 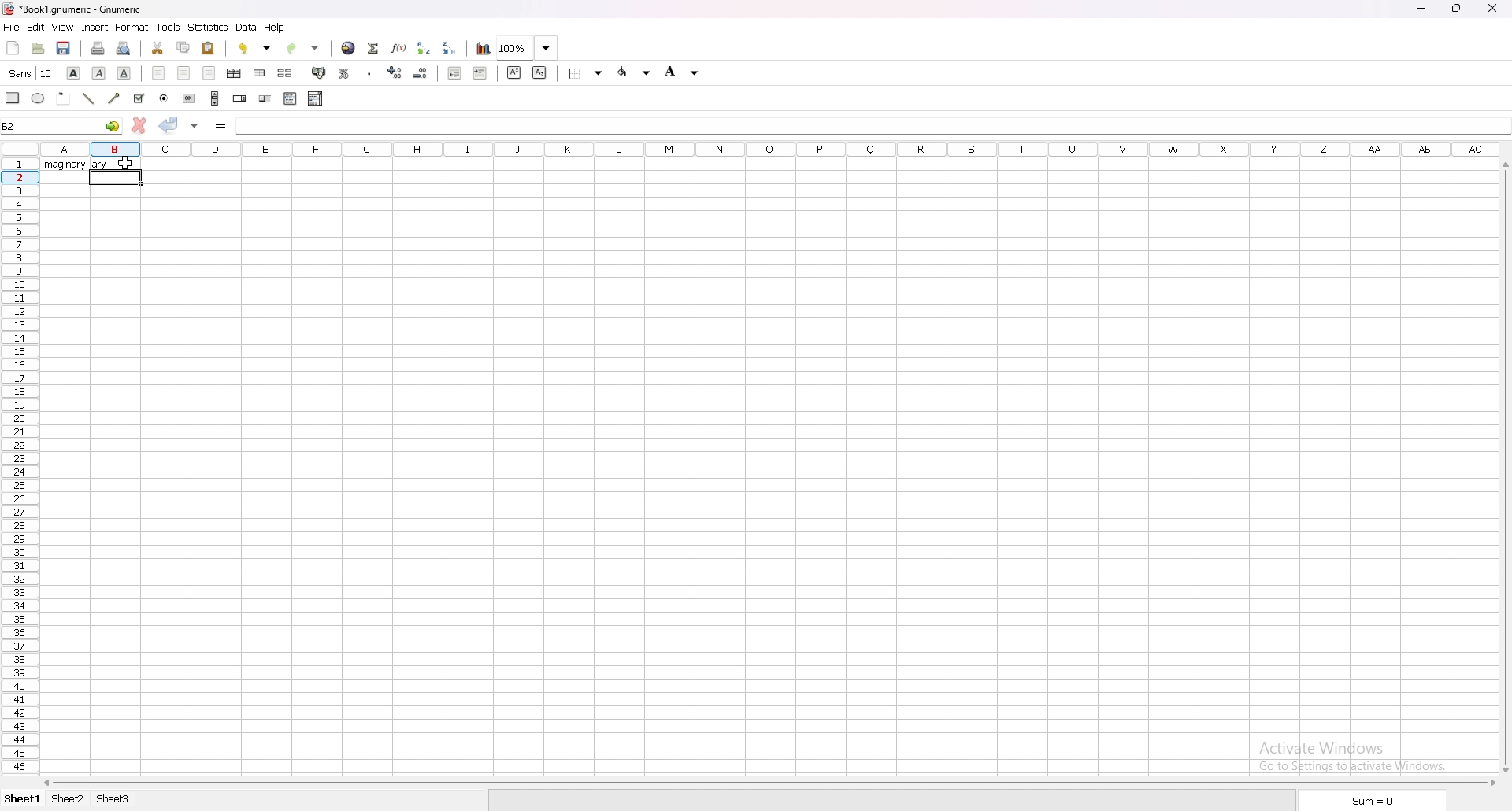 I want to click on print, so click(x=98, y=47).